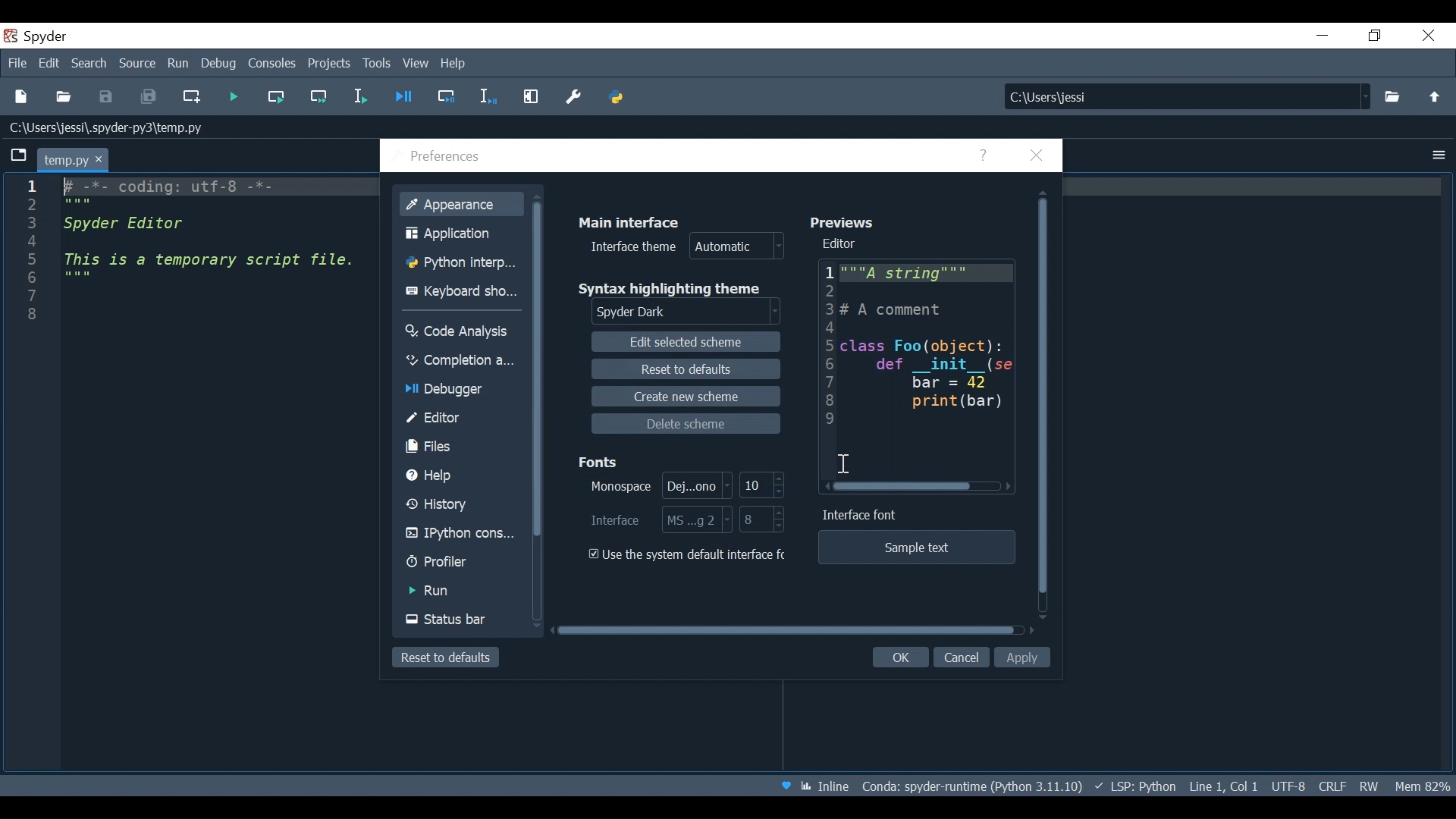  I want to click on Delete scheme, so click(685, 424).